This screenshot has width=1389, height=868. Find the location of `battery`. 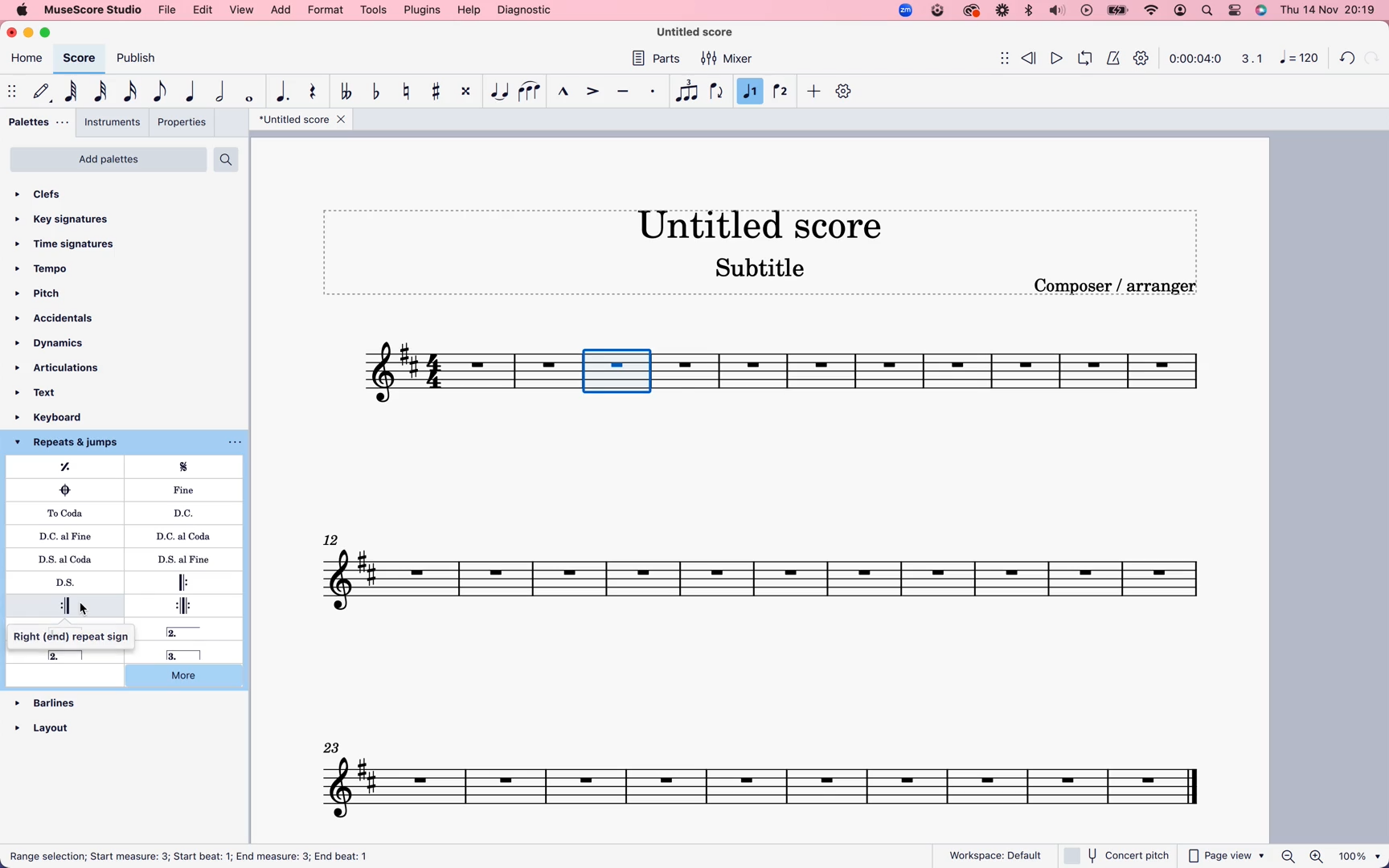

battery is located at coordinates (1117, 11).